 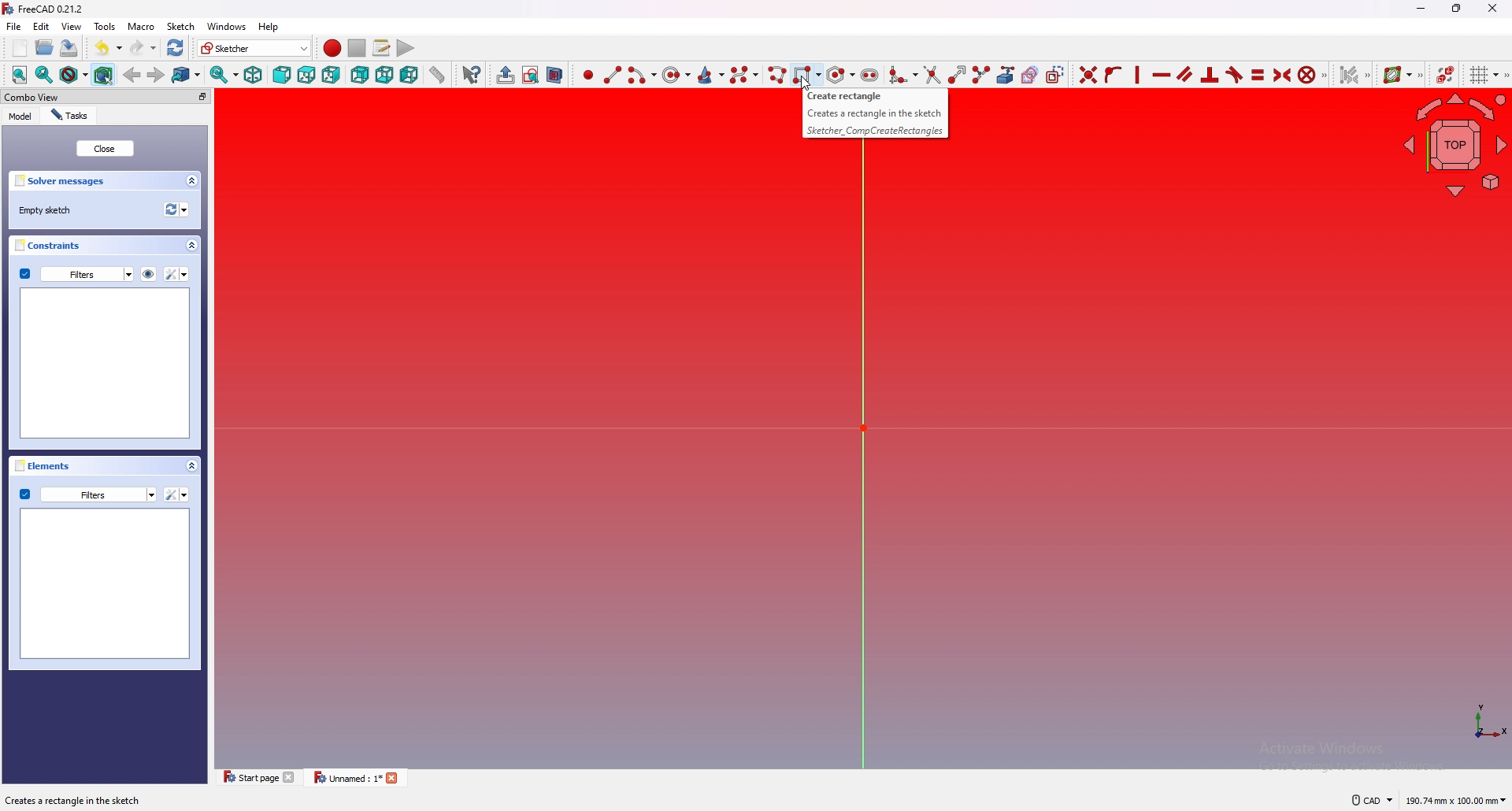 What do you see at coordinates (1258, 76) in the screenshot?
I see `constraint equal` at bounding box center [1258, 76].